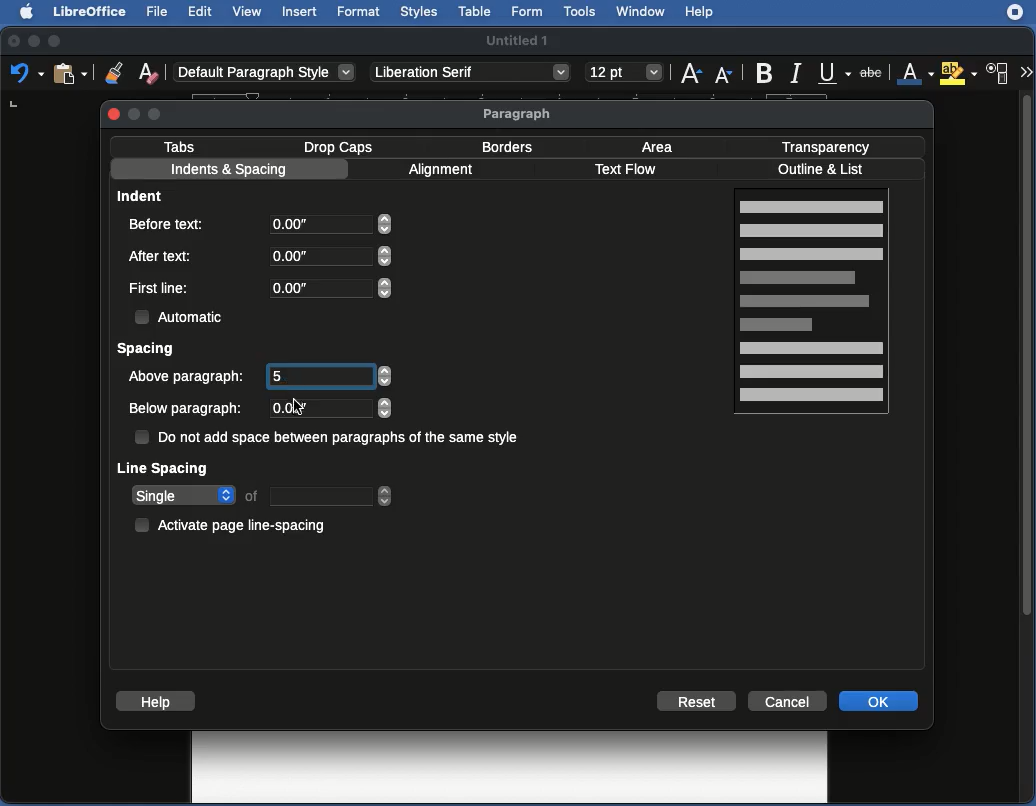  What do you see at coordinates (173, 223) in the screenshot?
I see `Before text` at bounding box center [173, 223].